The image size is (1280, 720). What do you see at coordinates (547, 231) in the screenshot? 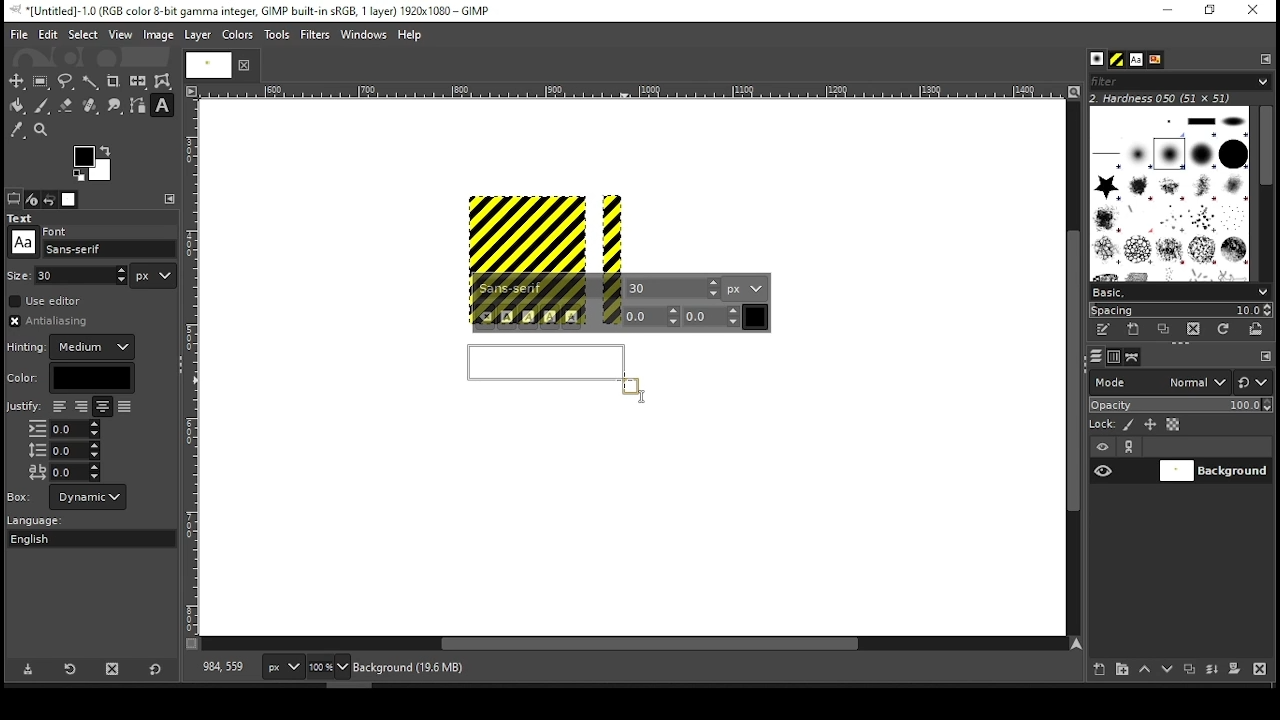
I see `` at bounding box center [547, 231].